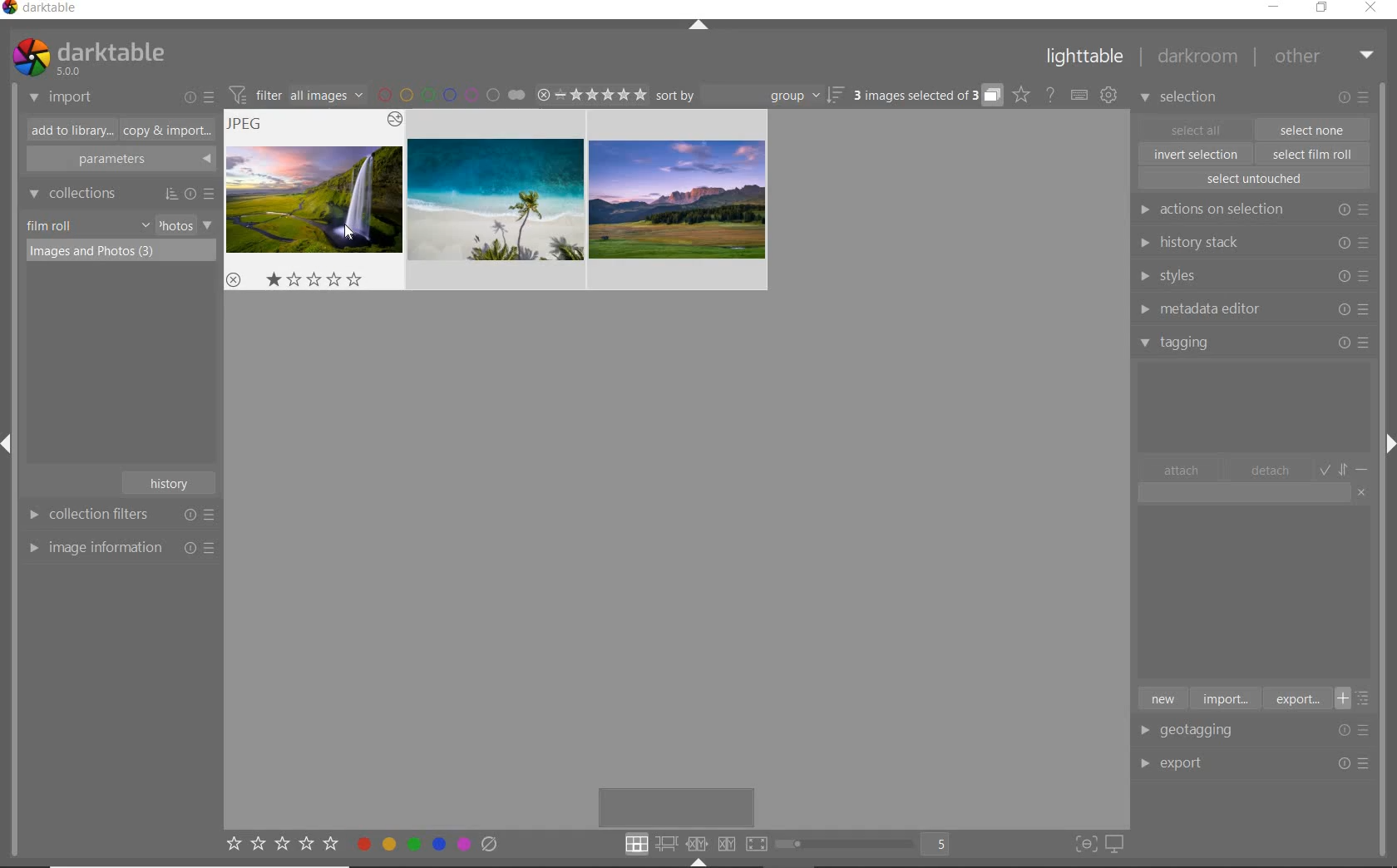 Image resolution: width=1397 pixels, height=868 pixels. I want to click on history stack, so click(1251, 242).